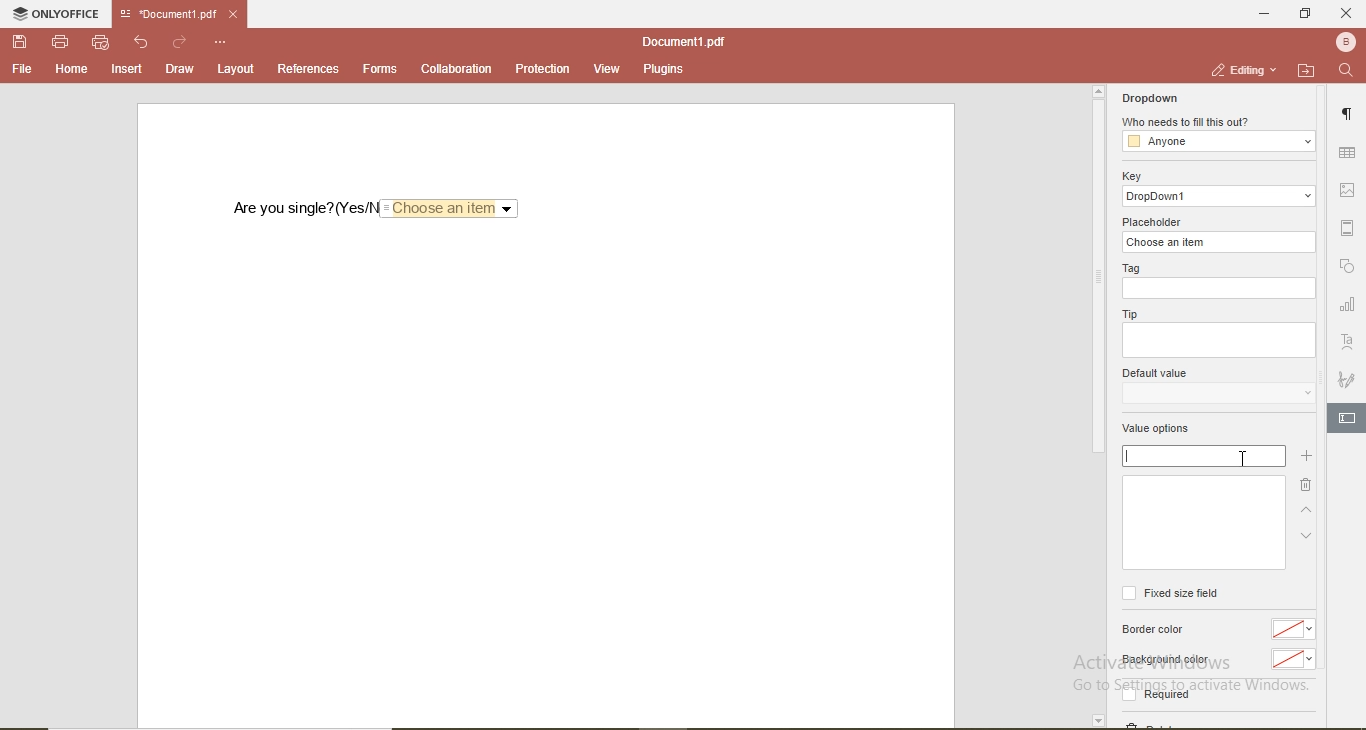 Image resolution: width=1366 pixels, height=730 pixels. What do you see at coordinates (379, 69) in the screenshot?
I see `forms` at bounding box center [379, 69].